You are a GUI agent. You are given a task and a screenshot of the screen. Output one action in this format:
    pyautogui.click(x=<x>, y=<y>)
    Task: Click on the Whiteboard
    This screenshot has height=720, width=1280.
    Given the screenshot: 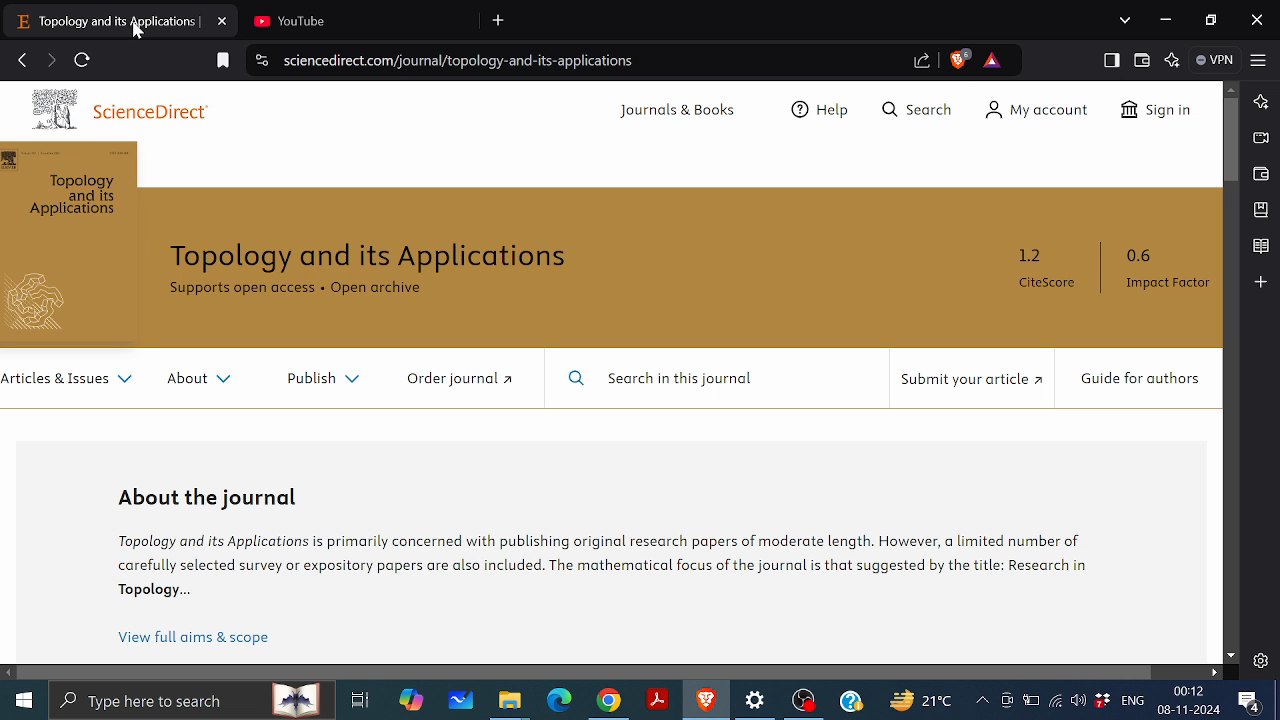 What is the action you would take?
    pyautogui.click(x=461, y=700)
    